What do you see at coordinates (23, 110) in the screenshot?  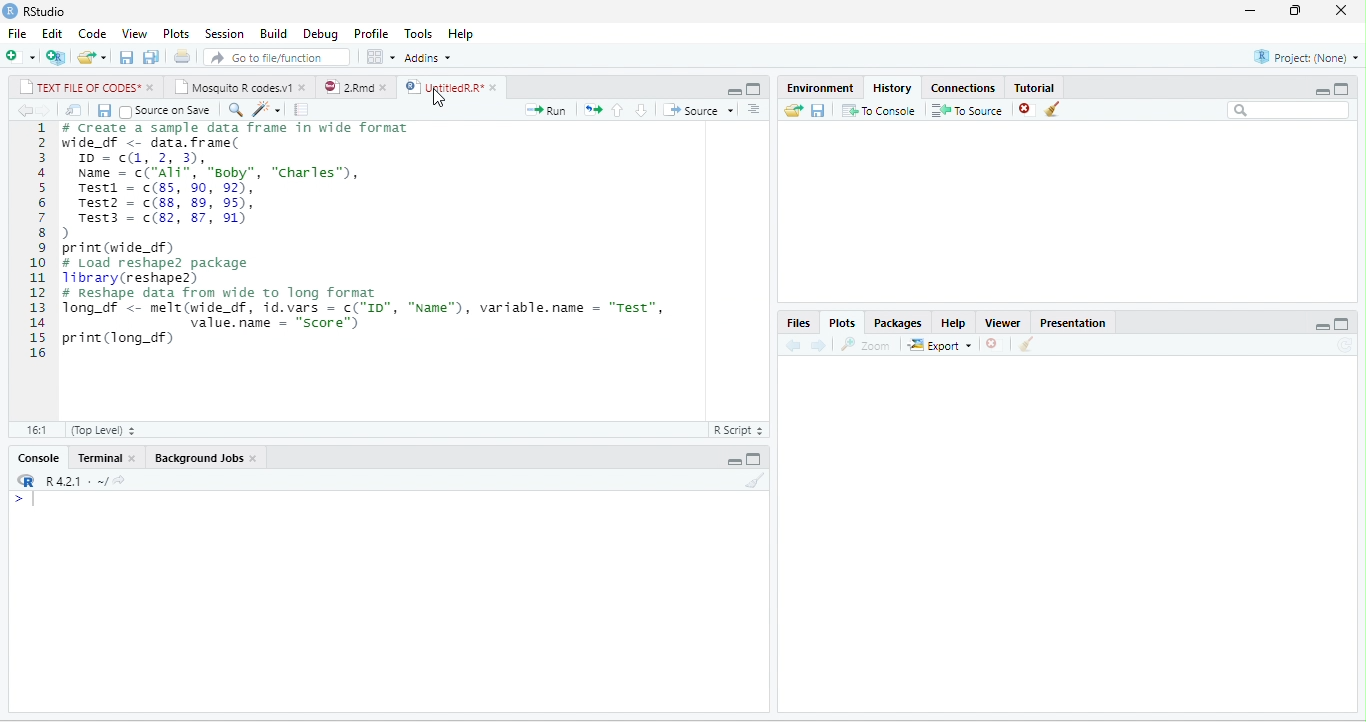 I see `back` at bounding box center [23, 110].